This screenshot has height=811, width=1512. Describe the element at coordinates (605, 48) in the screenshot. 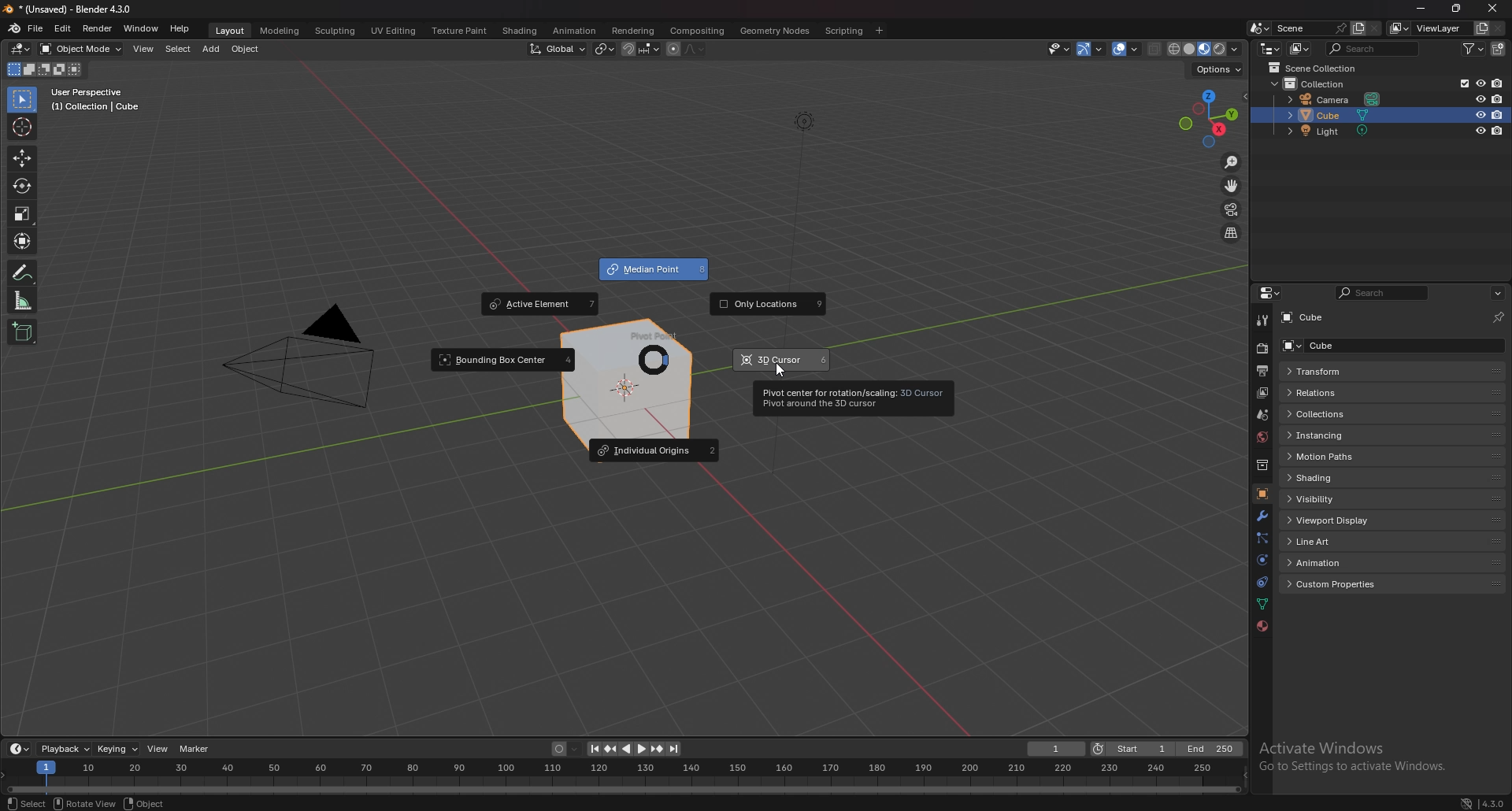

I see `median point` at that location.